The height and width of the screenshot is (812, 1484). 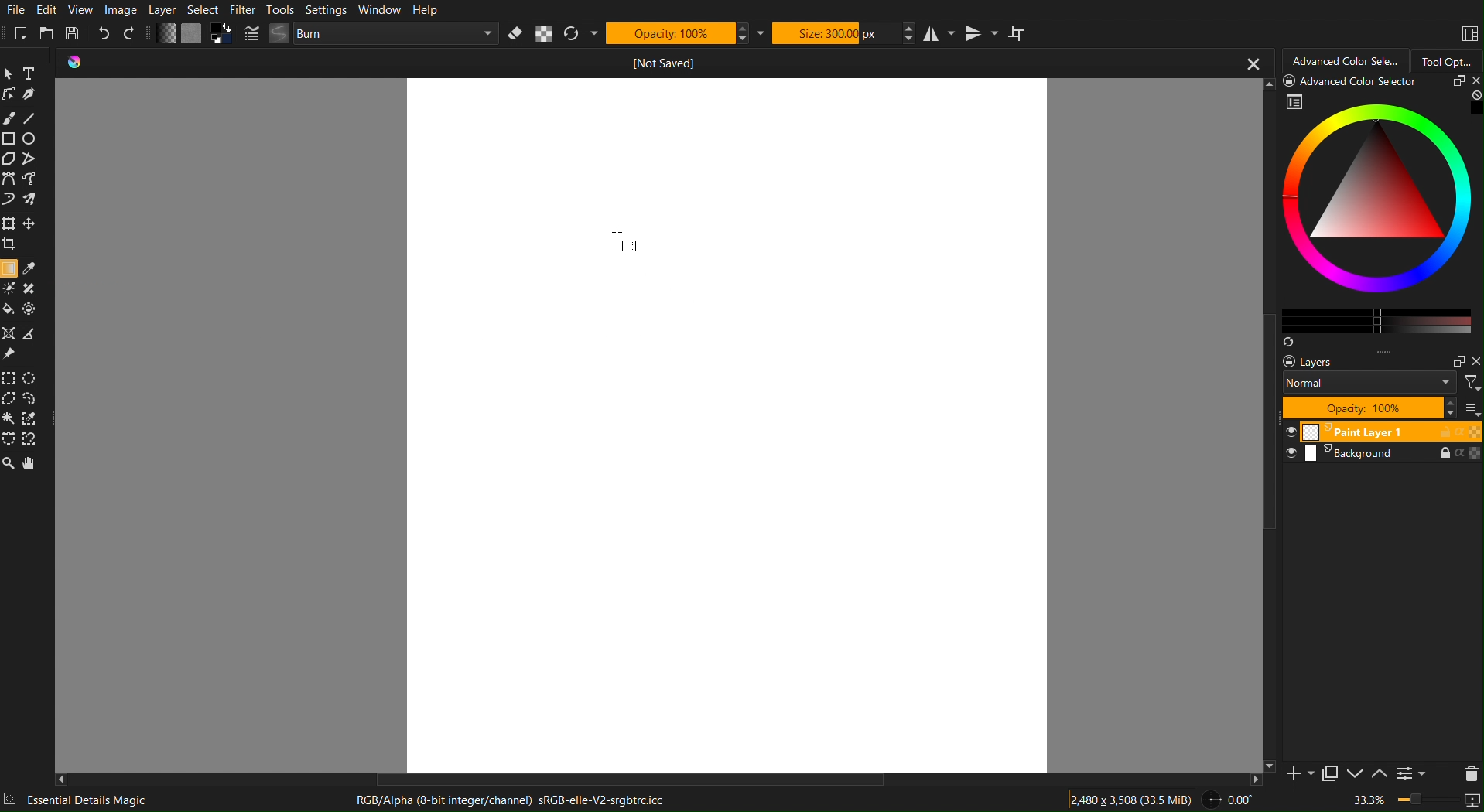 What do you see at coordinates (10, 268) in the screenshot?
I see `selected Gradient Tool` at bounding box center [10, 268].